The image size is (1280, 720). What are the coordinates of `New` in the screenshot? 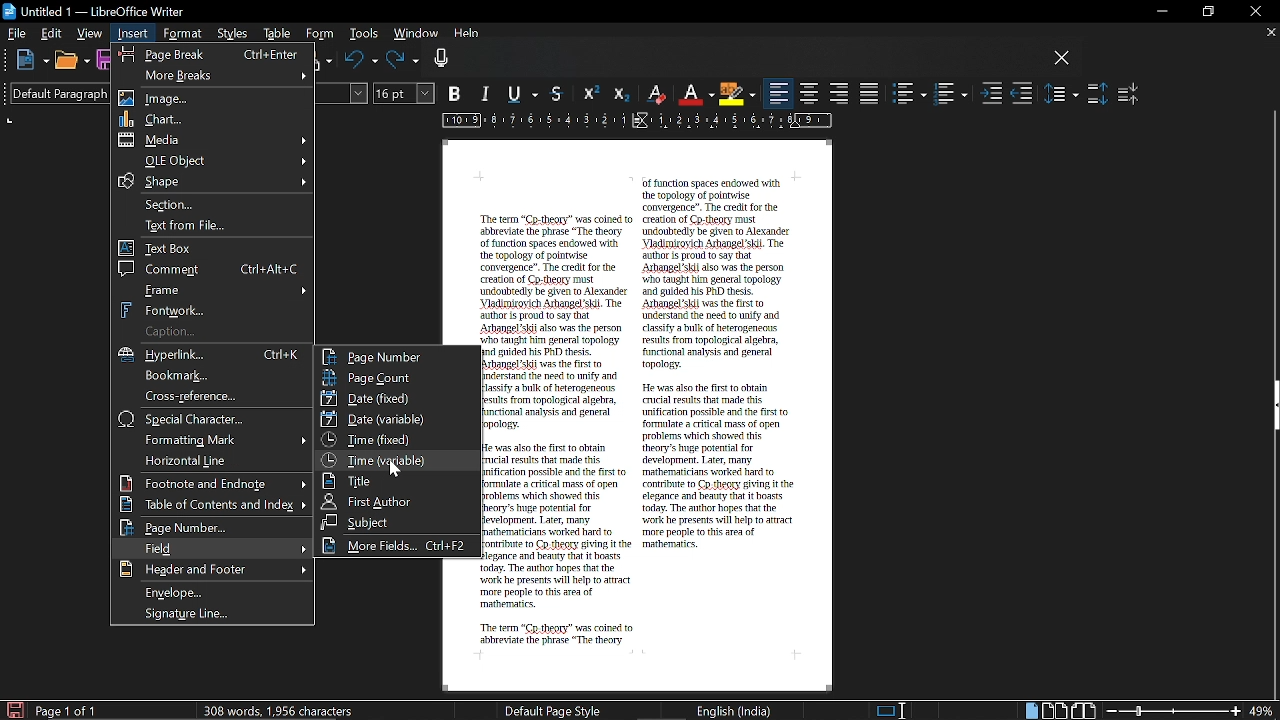 It's located at (32, 61).